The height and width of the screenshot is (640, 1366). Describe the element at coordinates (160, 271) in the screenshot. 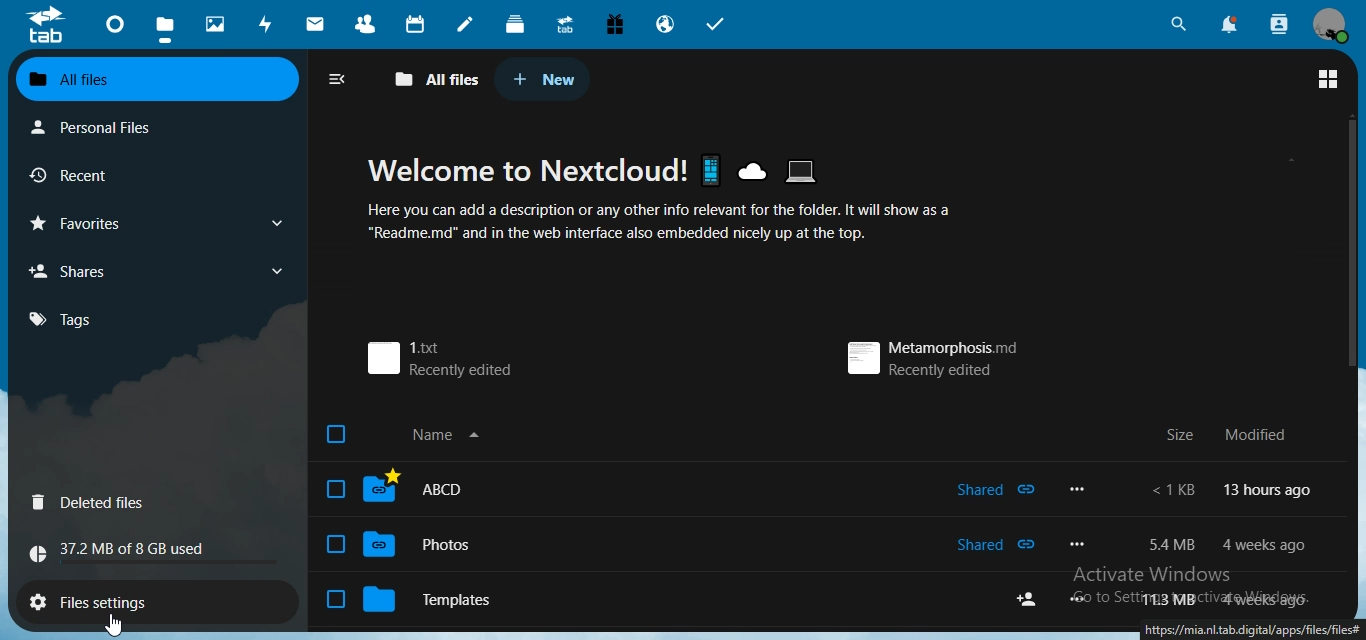

I see `shares` at that location.